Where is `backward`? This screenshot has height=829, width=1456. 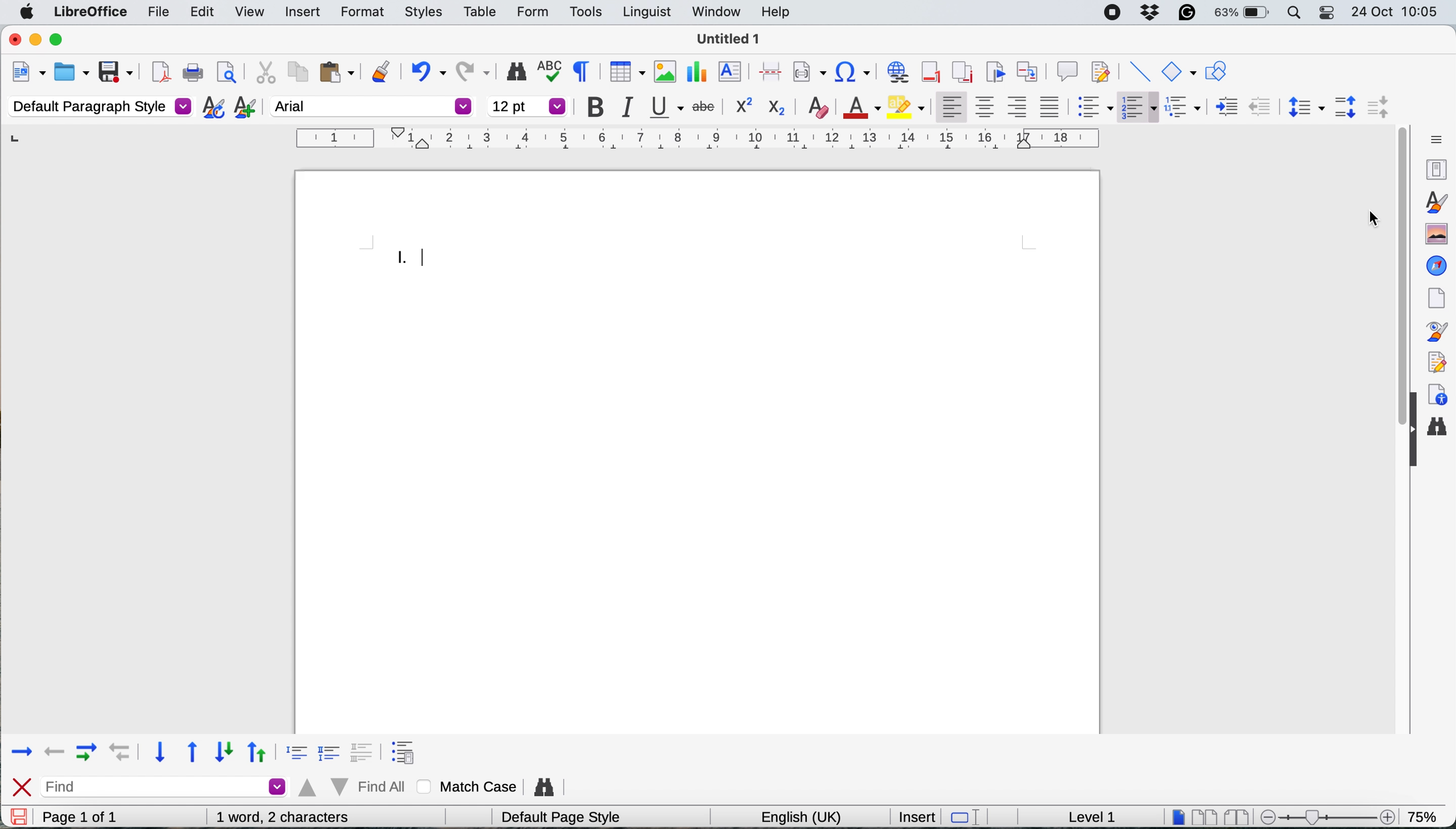
backward is located at coordinates (56, 749).